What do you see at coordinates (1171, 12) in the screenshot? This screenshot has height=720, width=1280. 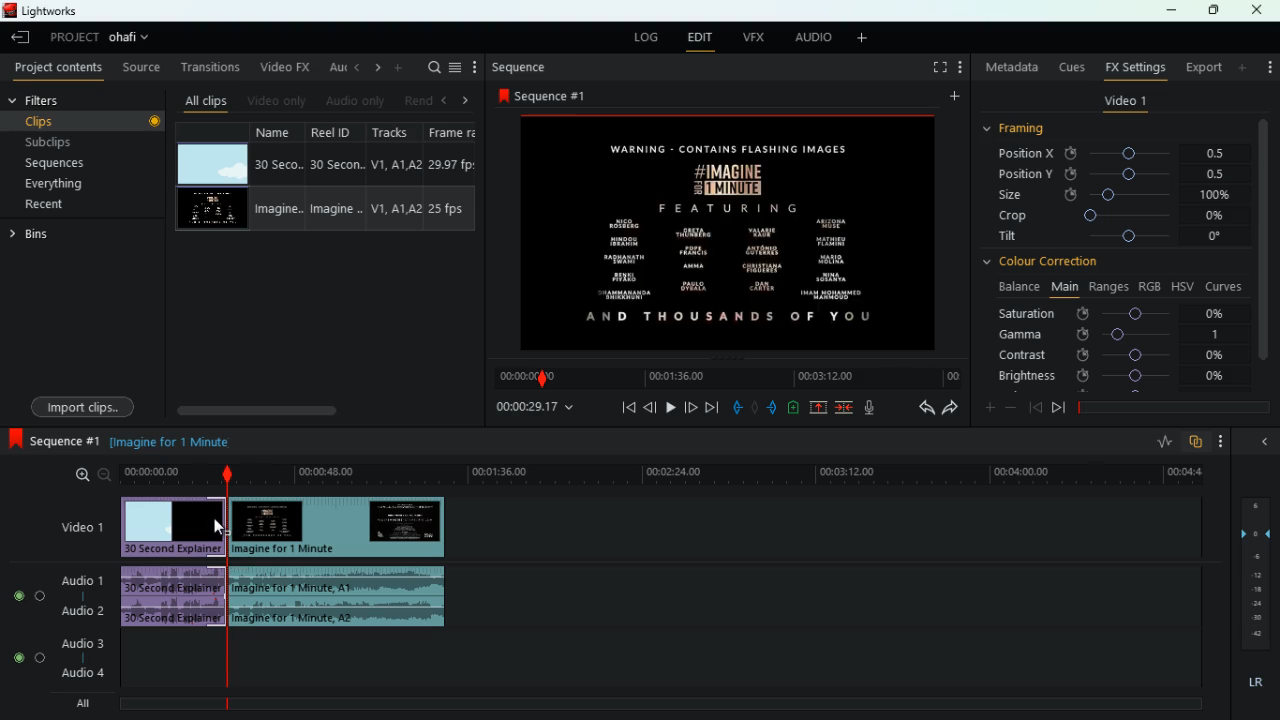 I see `minimize` at bounding box center [1171, 12].